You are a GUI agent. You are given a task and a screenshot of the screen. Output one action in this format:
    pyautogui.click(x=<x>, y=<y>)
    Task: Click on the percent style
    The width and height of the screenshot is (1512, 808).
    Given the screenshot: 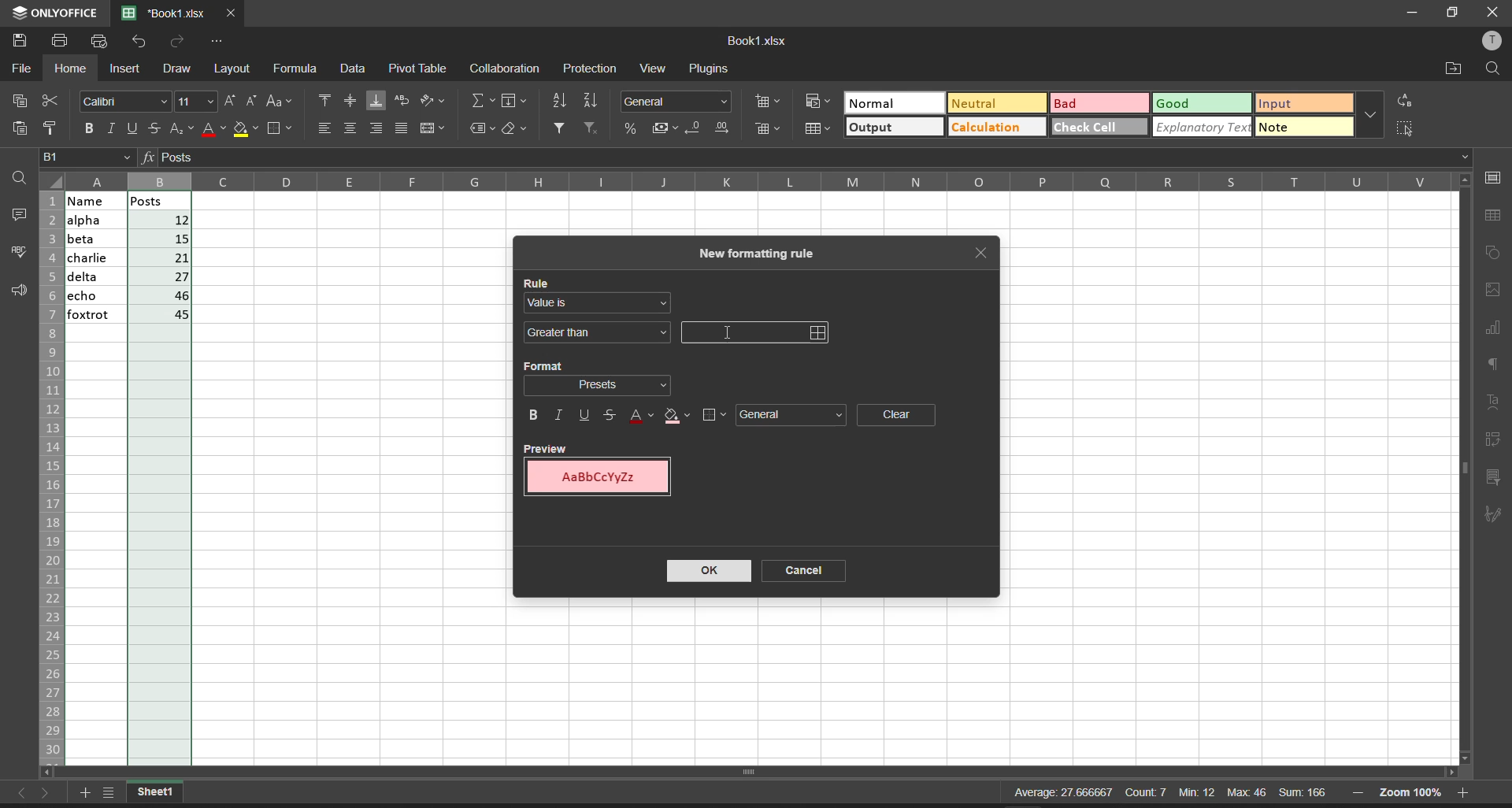 What is the action you would take?
    pyautogui.click(x=630, y=130)
    